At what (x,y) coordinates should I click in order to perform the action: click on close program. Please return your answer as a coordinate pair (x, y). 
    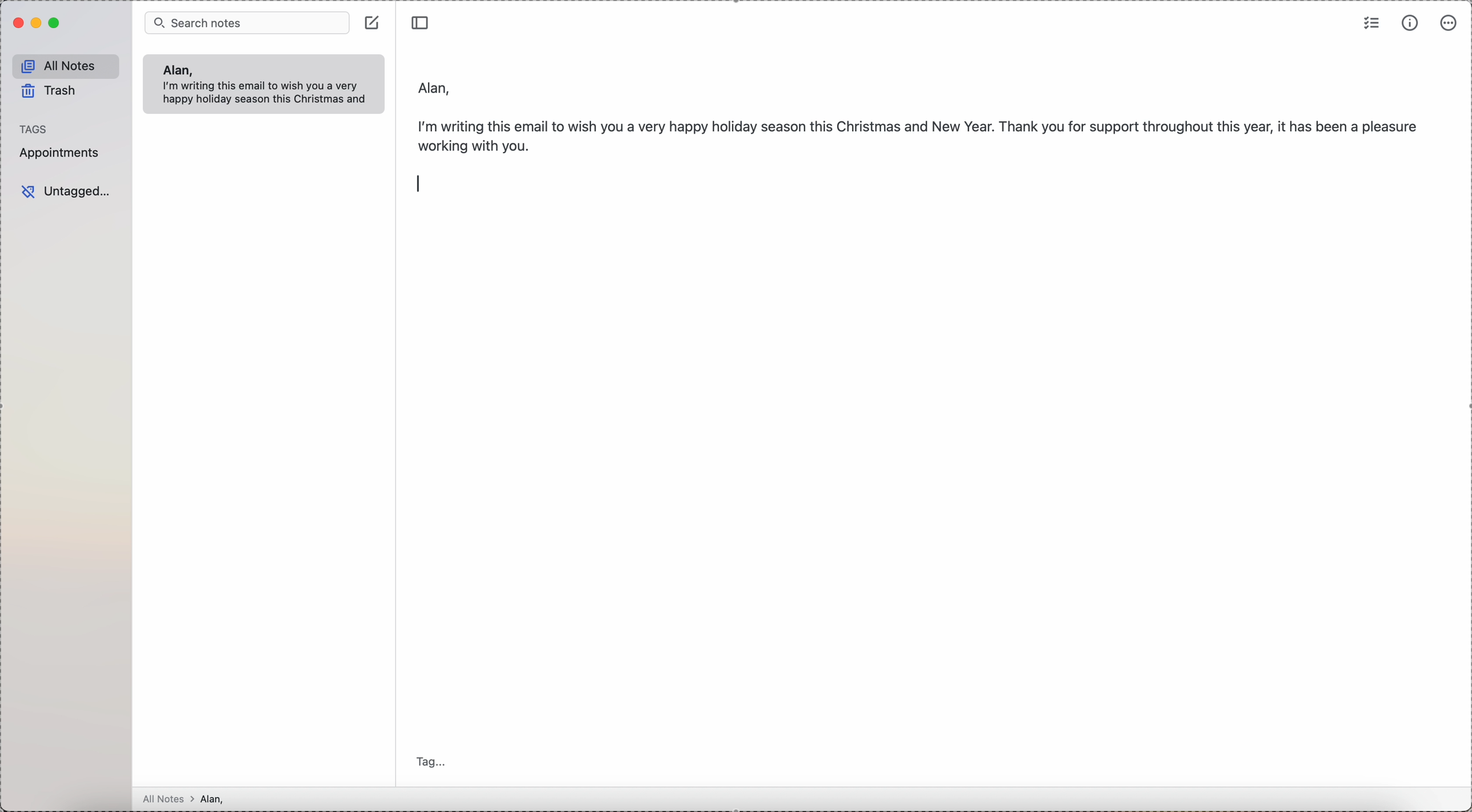
    Looking at the image, I should click on (17, 23).